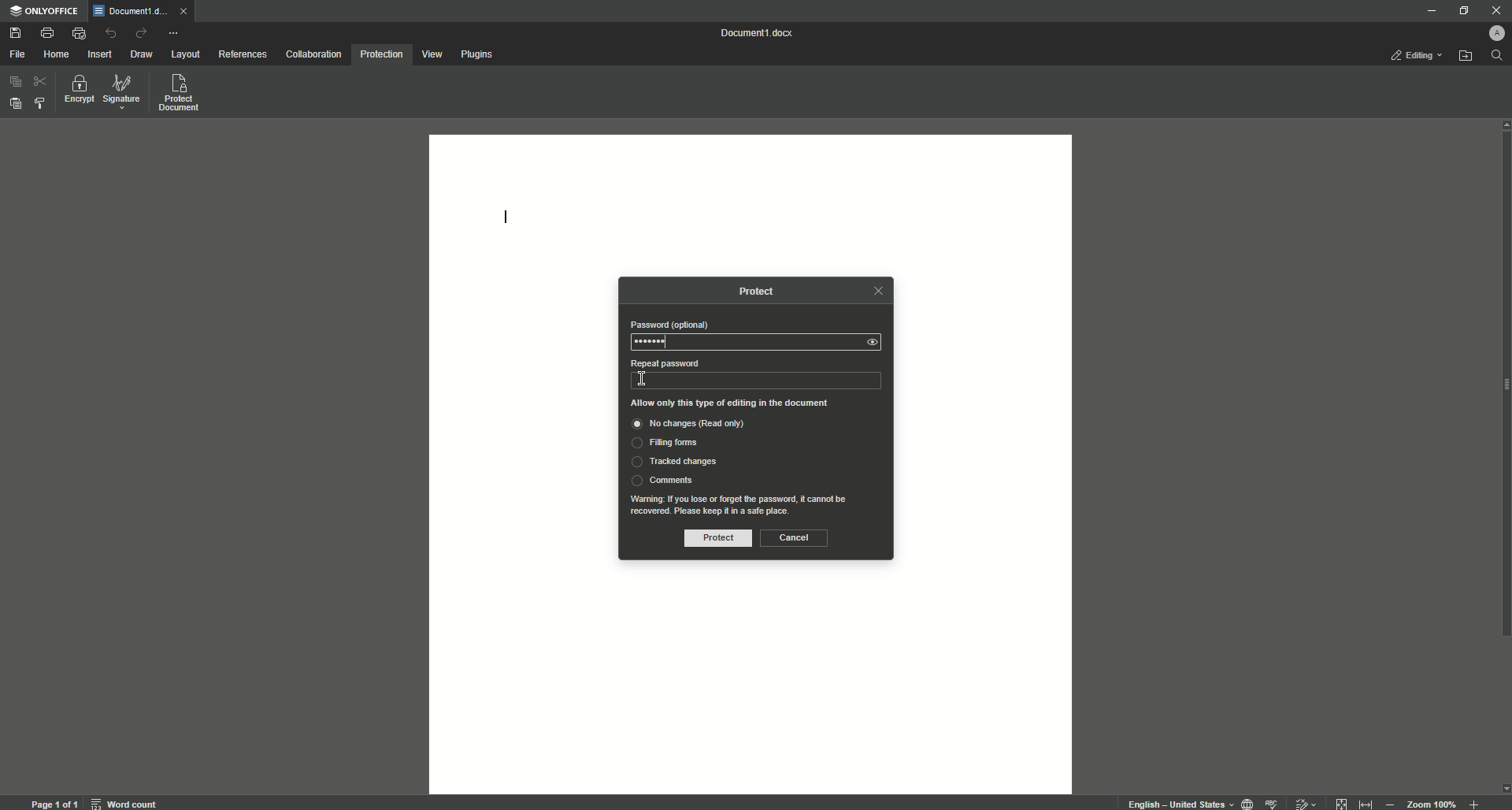  I want to click on Save, so click(17, 33).